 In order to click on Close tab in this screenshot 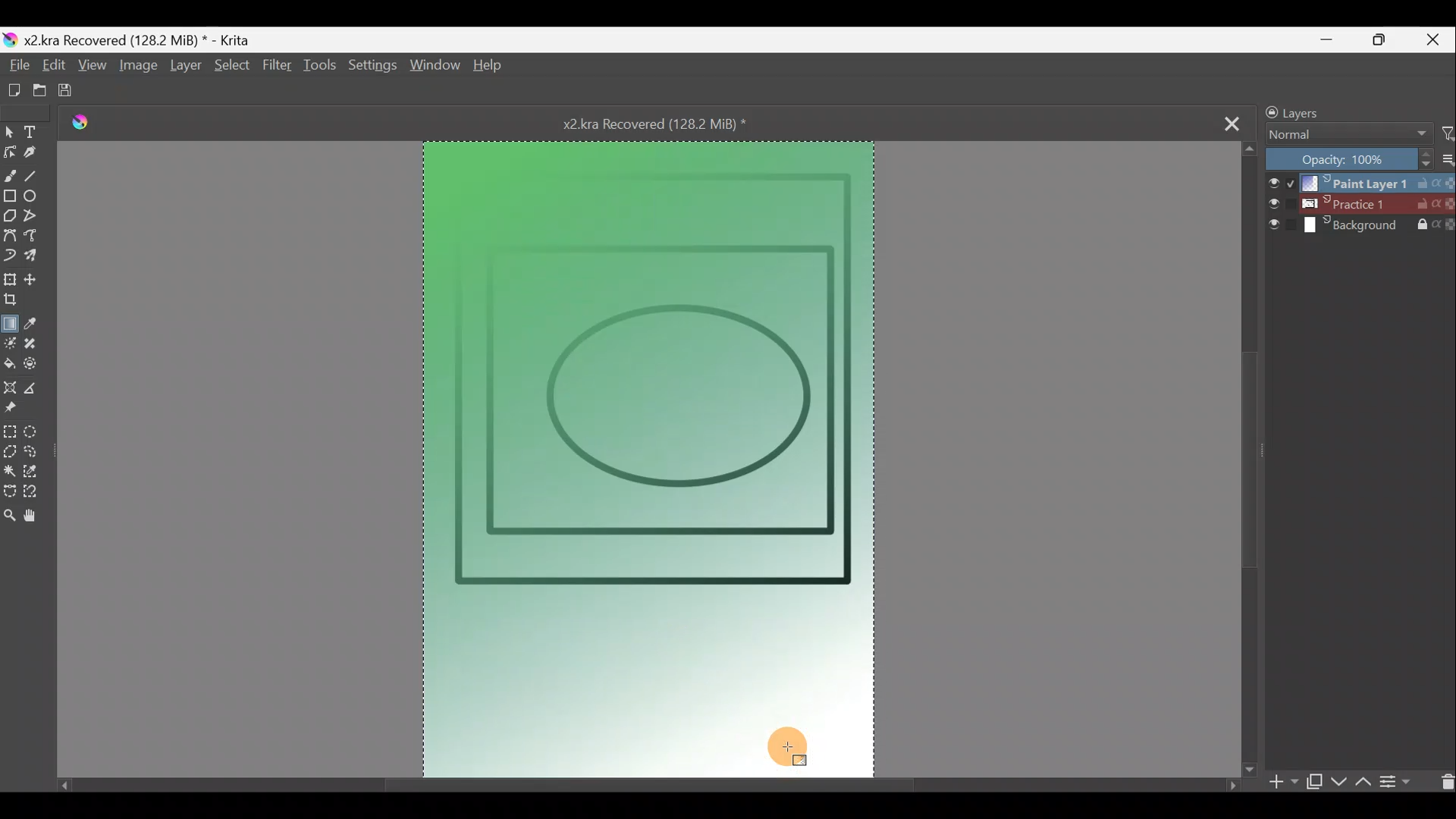, I will do `click(1232, 122)`.